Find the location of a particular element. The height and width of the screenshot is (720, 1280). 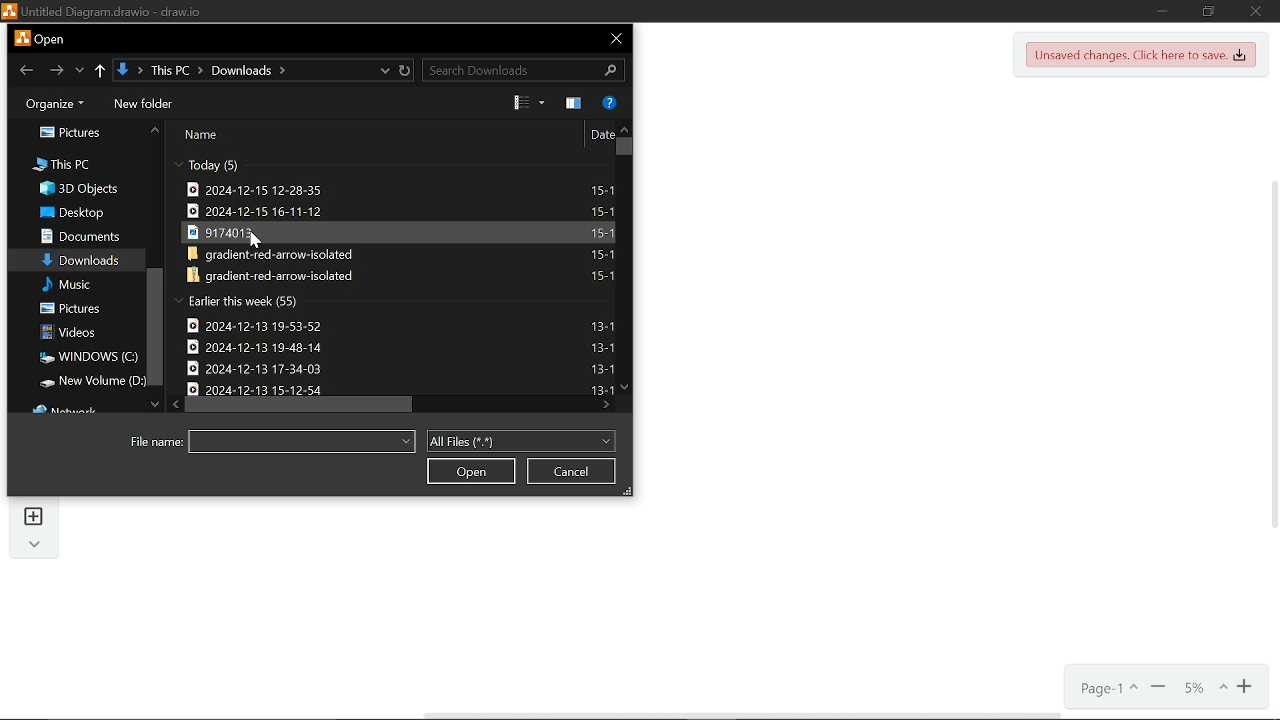

Previous is located at coordinates (26, 71).